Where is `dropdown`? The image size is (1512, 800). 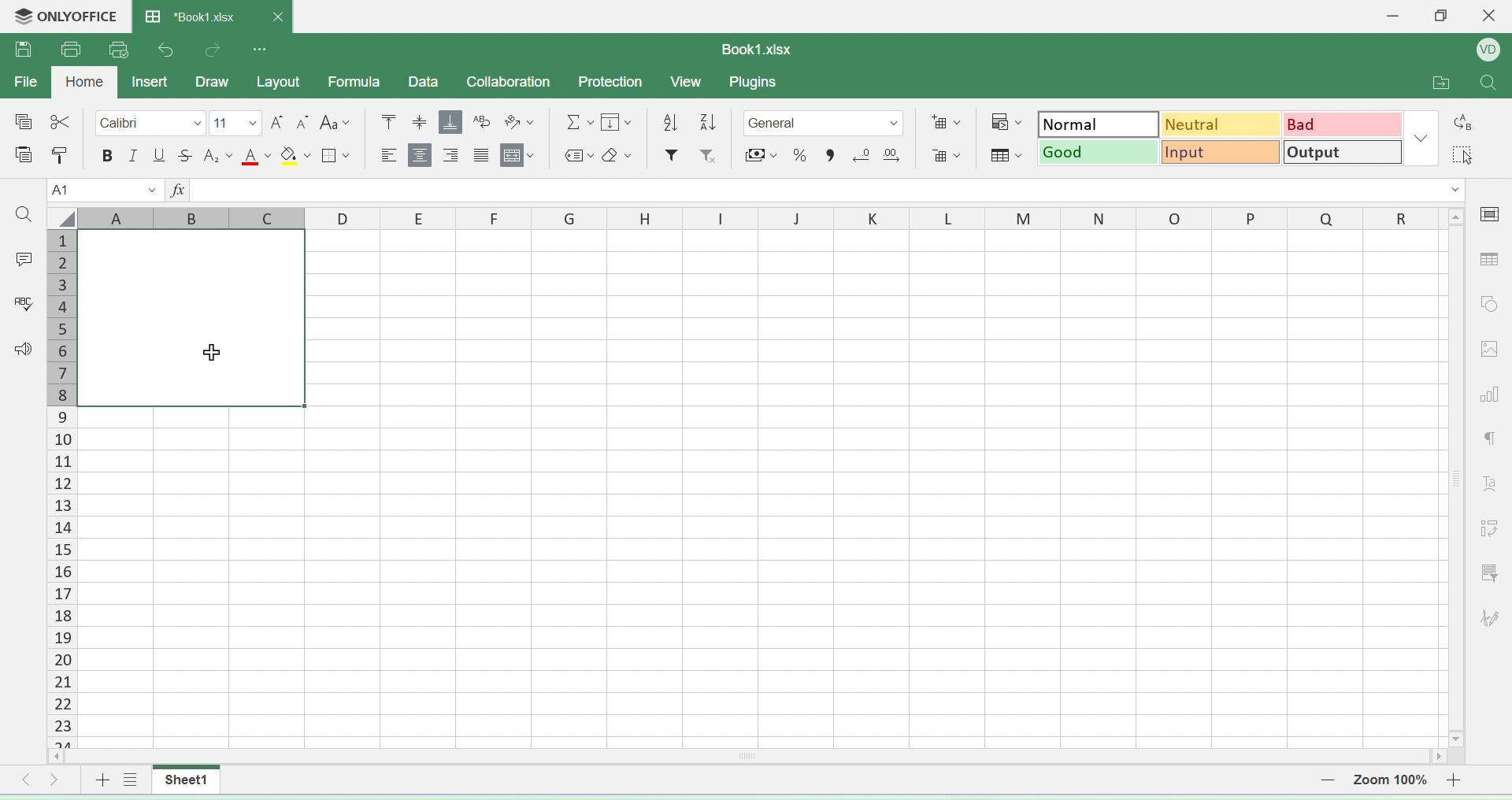
dropdown is located at coordinates (1423, 139).